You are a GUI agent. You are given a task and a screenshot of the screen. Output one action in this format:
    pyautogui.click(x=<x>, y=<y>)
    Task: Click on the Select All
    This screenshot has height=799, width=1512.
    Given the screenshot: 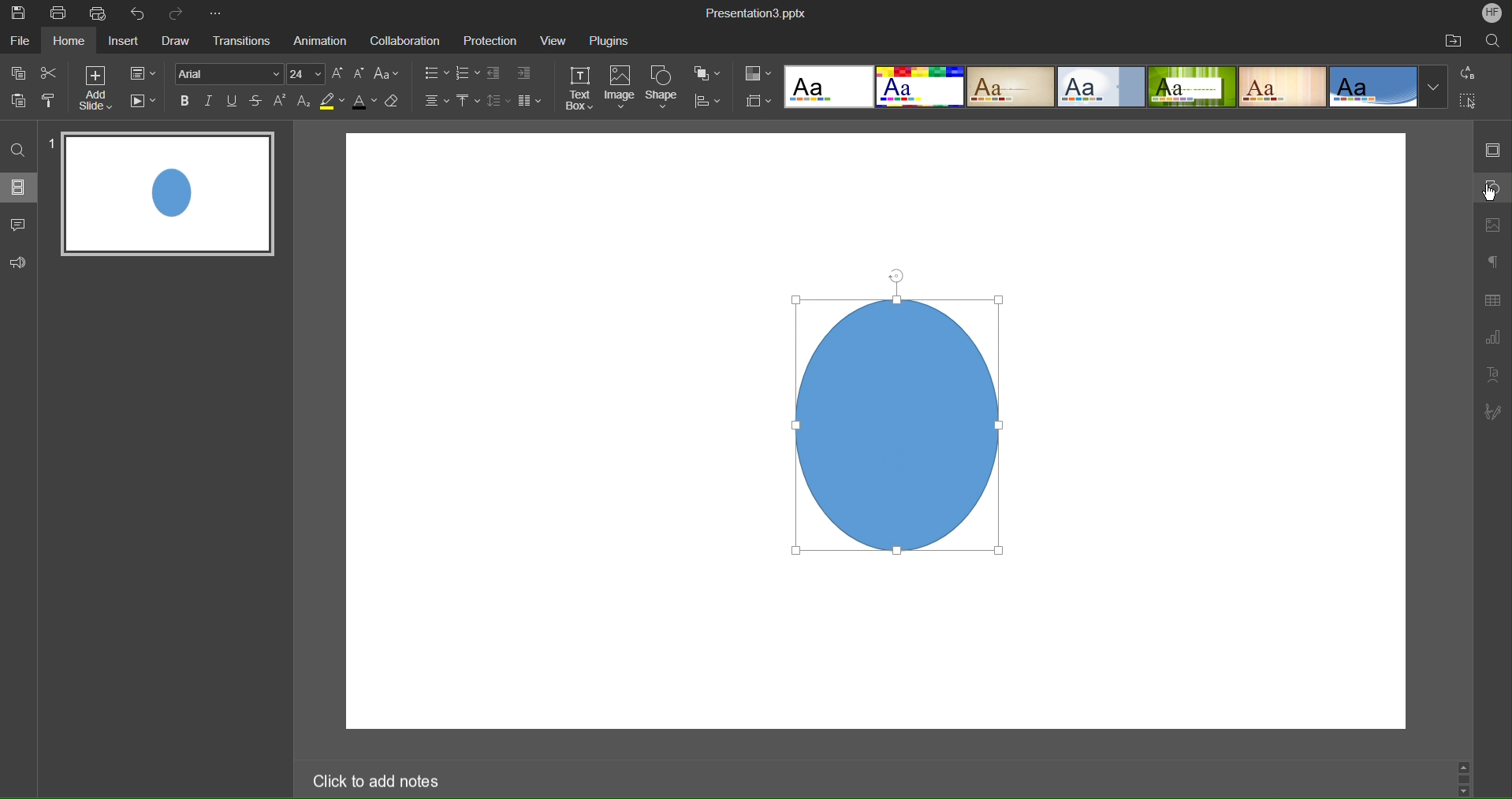 What is the action you would take?
    pyautogui.click(x=1468, y=101)
    